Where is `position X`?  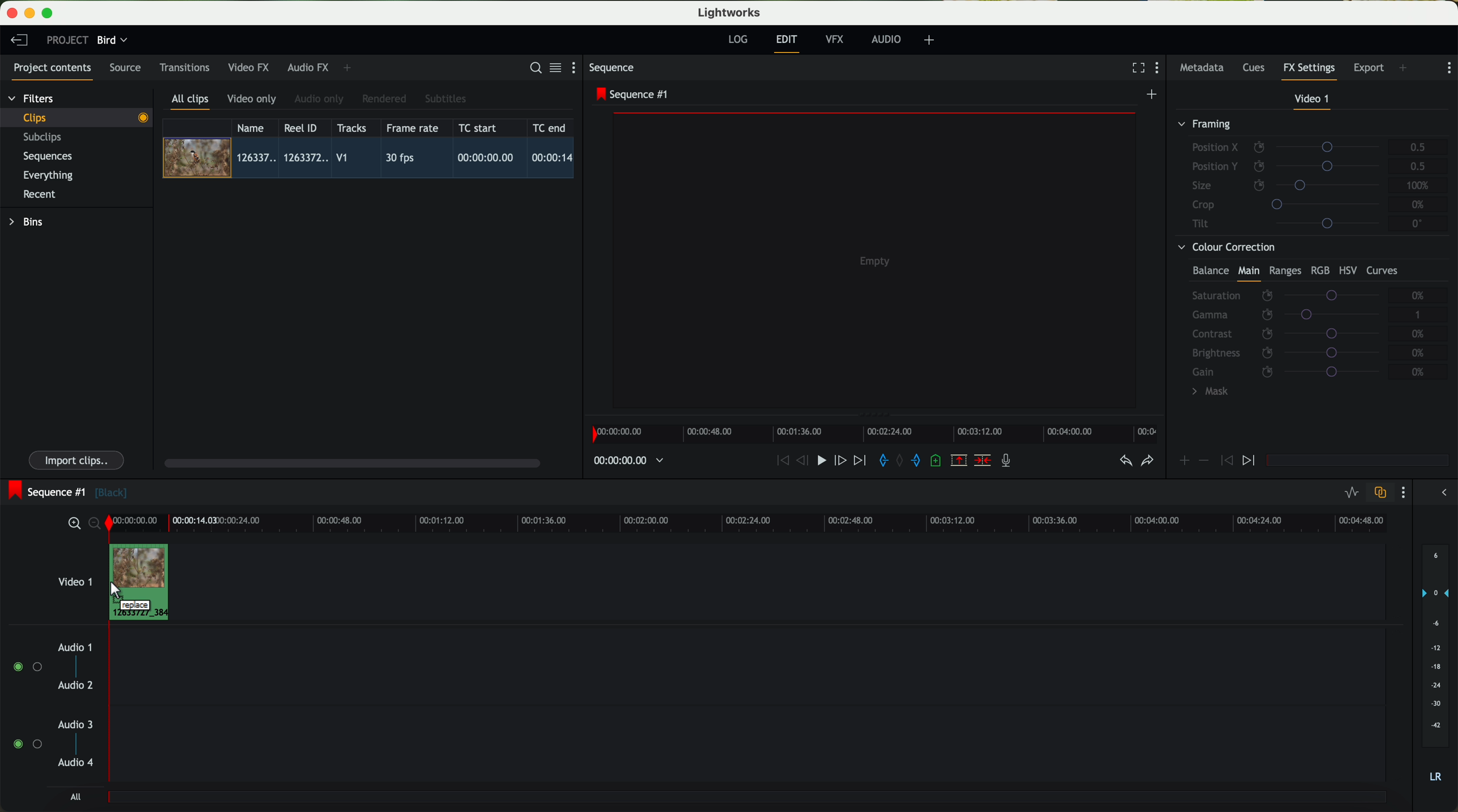 position X is located at coordinates (1290, 147).